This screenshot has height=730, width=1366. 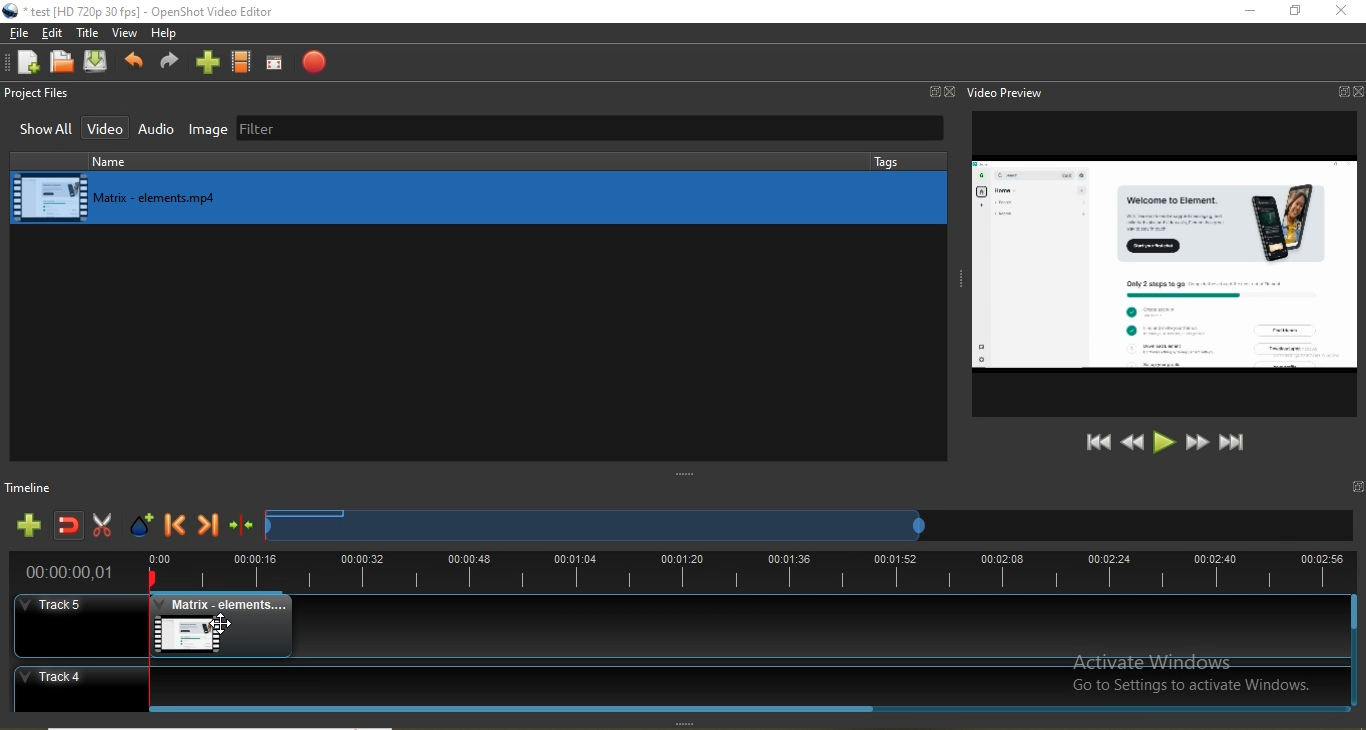 I want to click on Previous marker, so click(x=181, y=530).